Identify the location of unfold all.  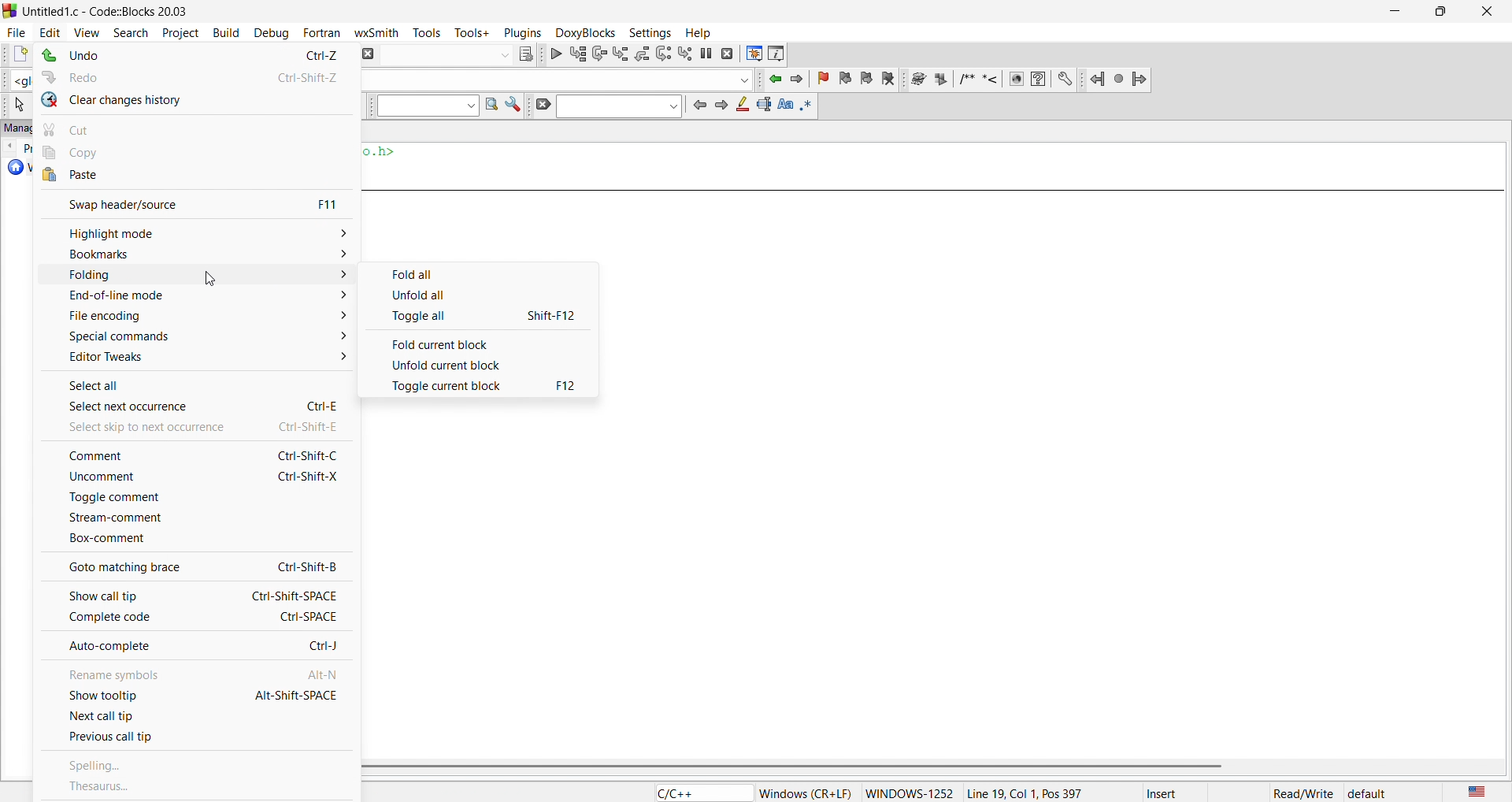
(479, 295).